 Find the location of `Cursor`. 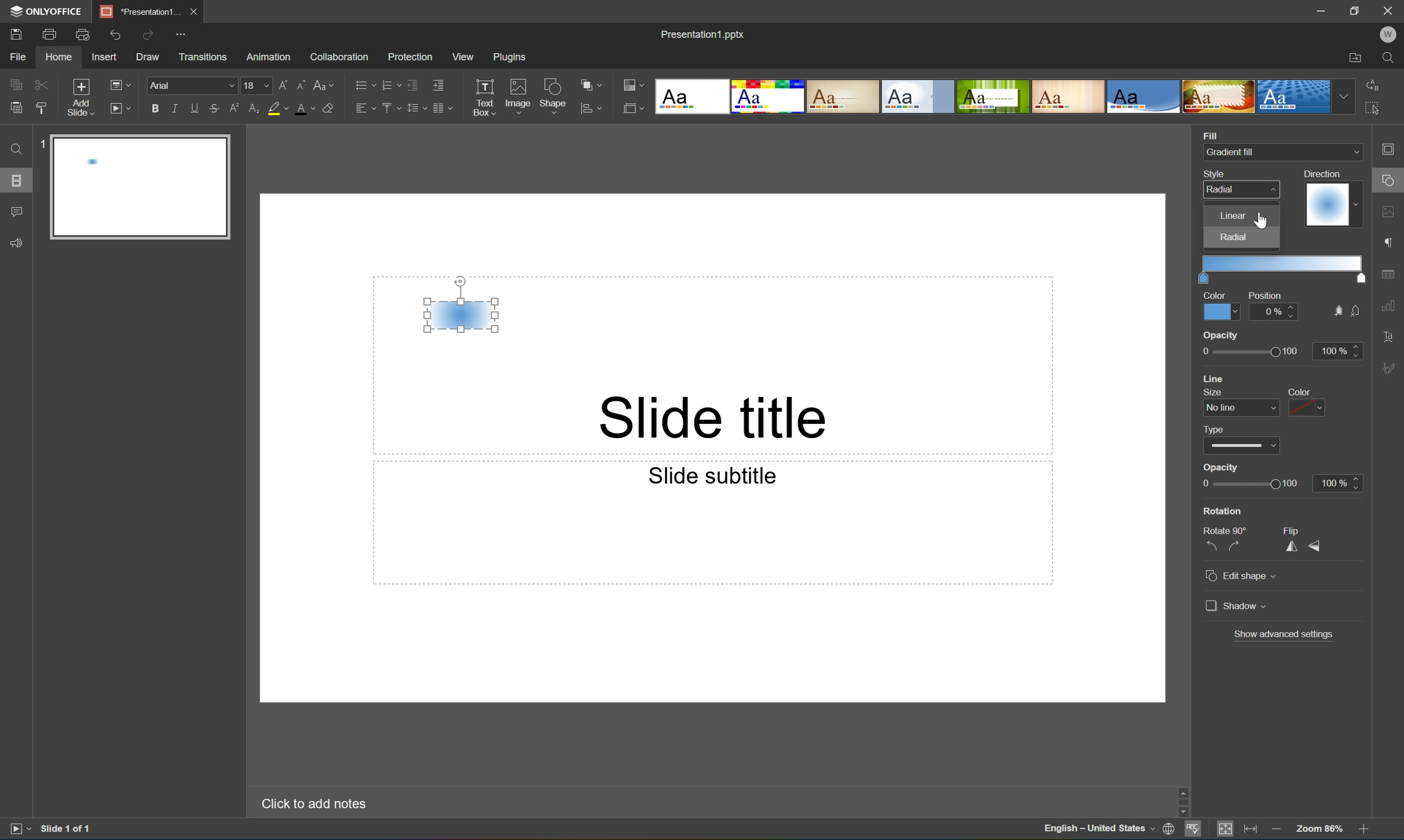

Cursor is located at coordinates (1262, 220).